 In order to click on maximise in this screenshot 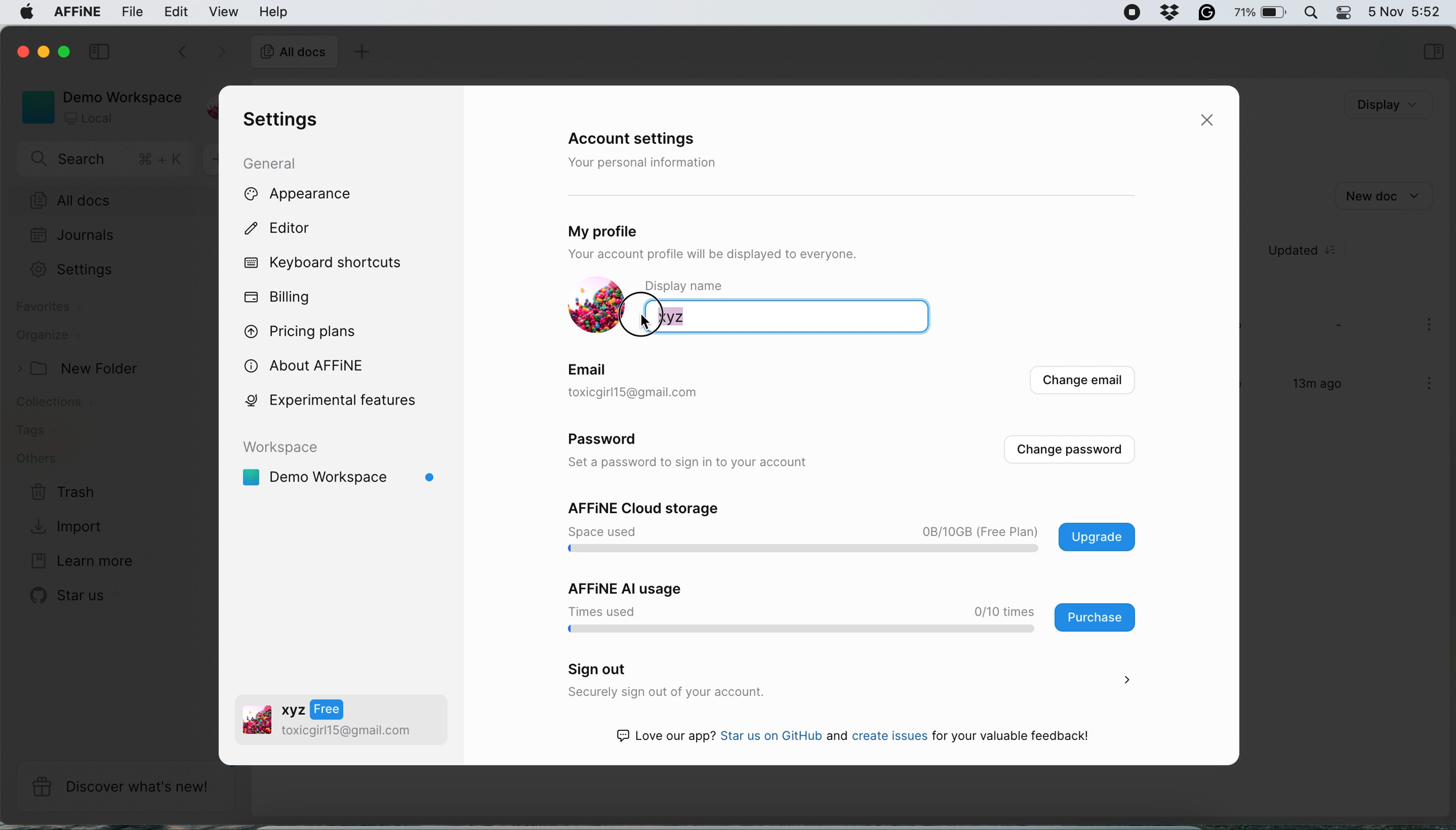, I will do `click(68, 51)`.